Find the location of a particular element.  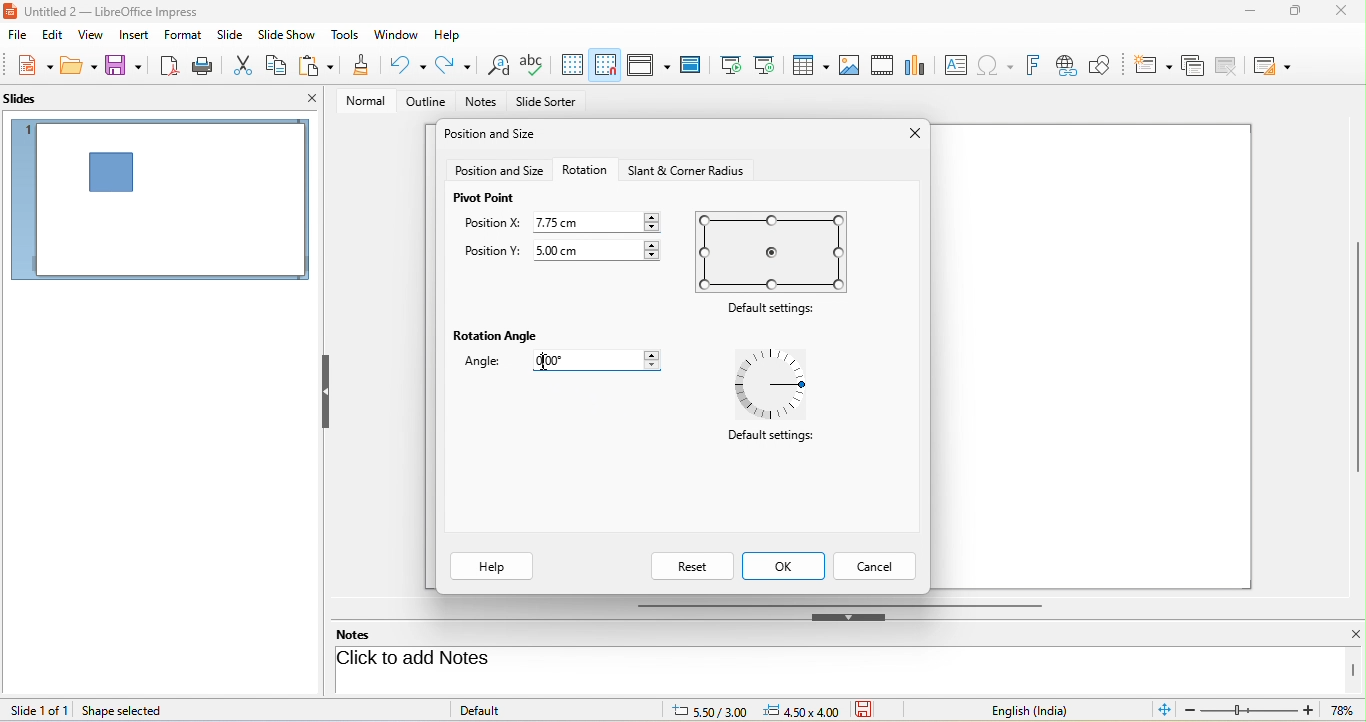

format is located at coordinates (186, 37).